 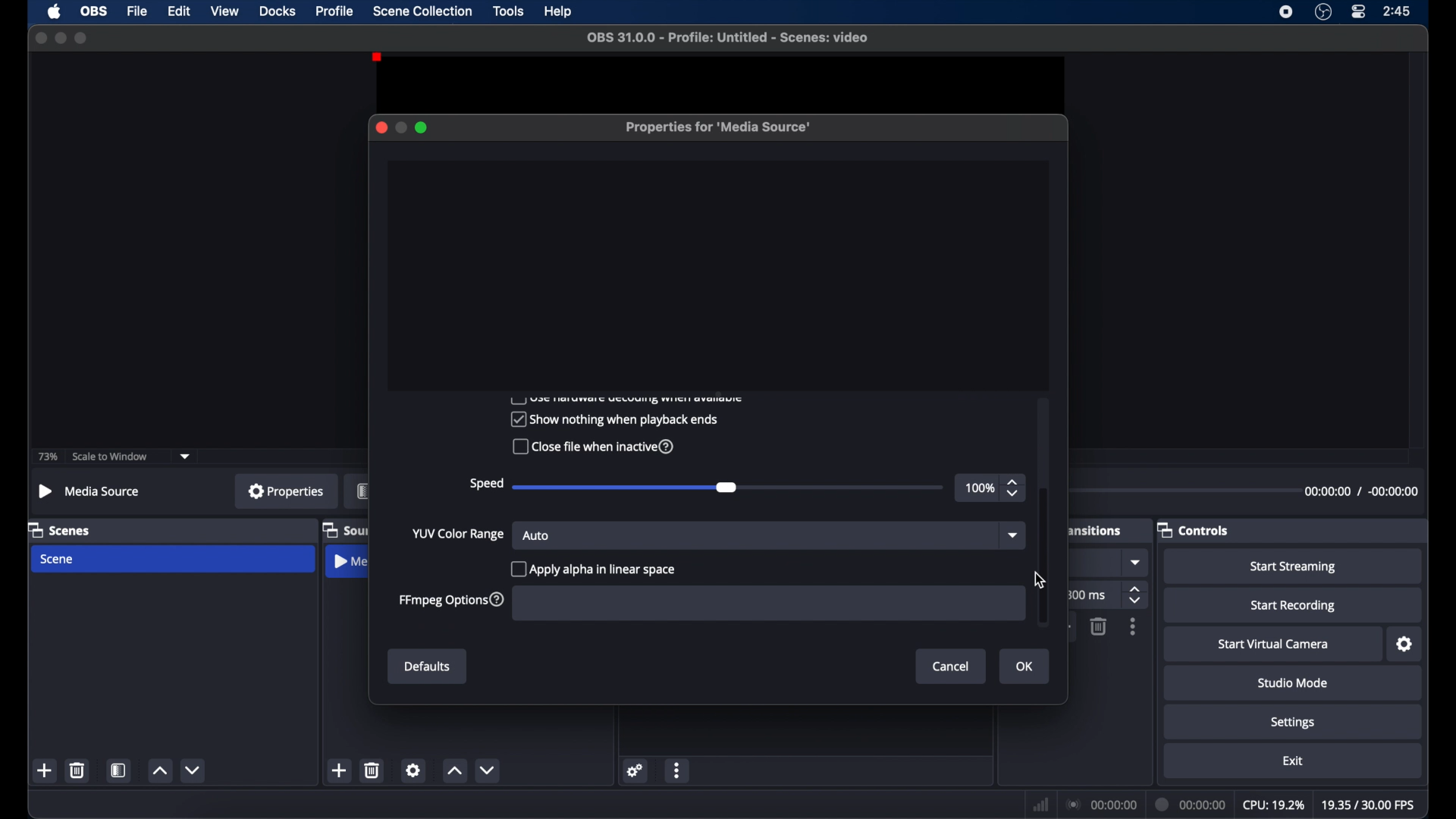 What do you see at coordinates (186, 455) in the screenshot?
I see `dropdown` at bounding box center [186, 455].